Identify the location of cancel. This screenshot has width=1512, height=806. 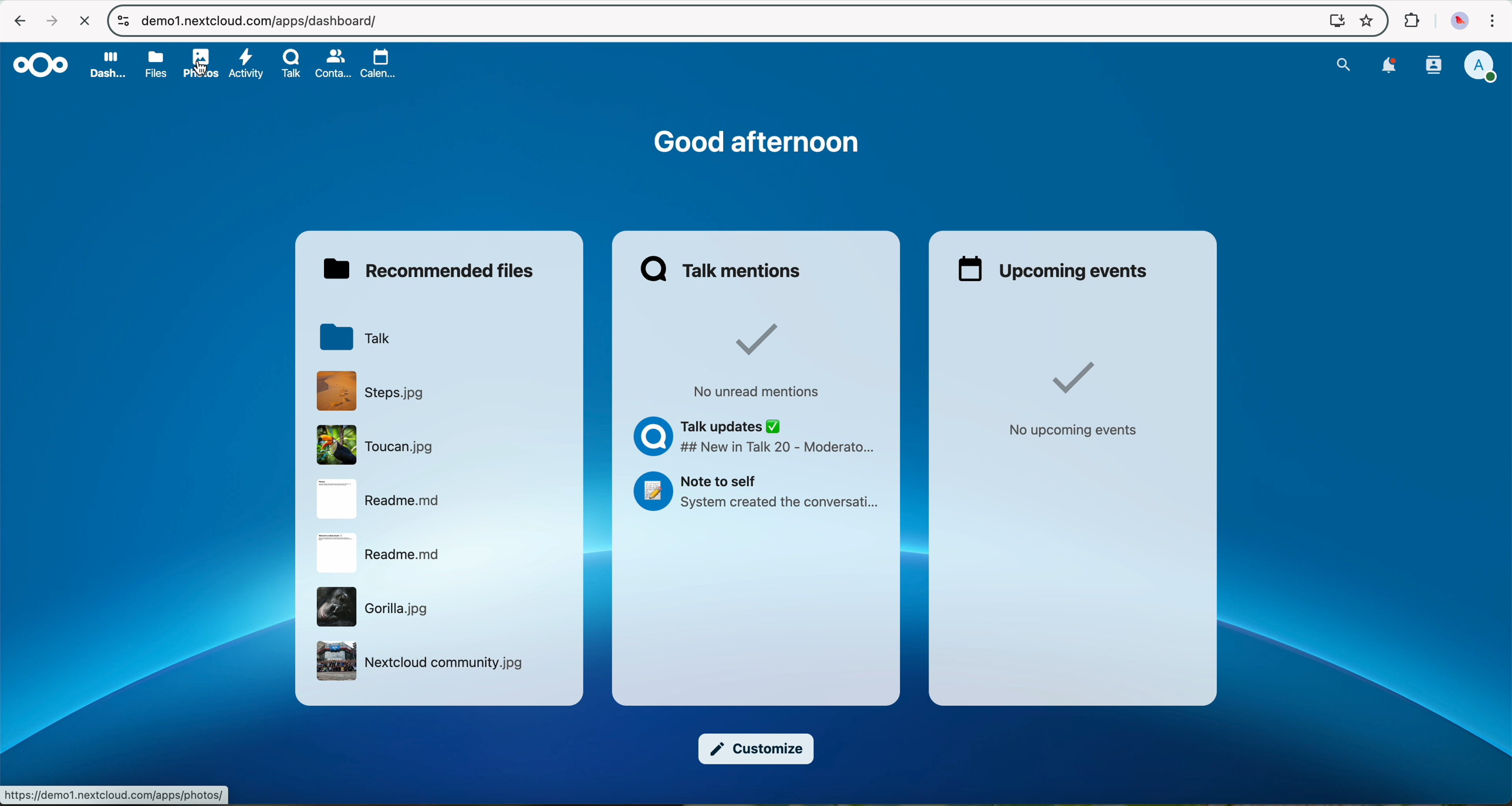
(85, 22).